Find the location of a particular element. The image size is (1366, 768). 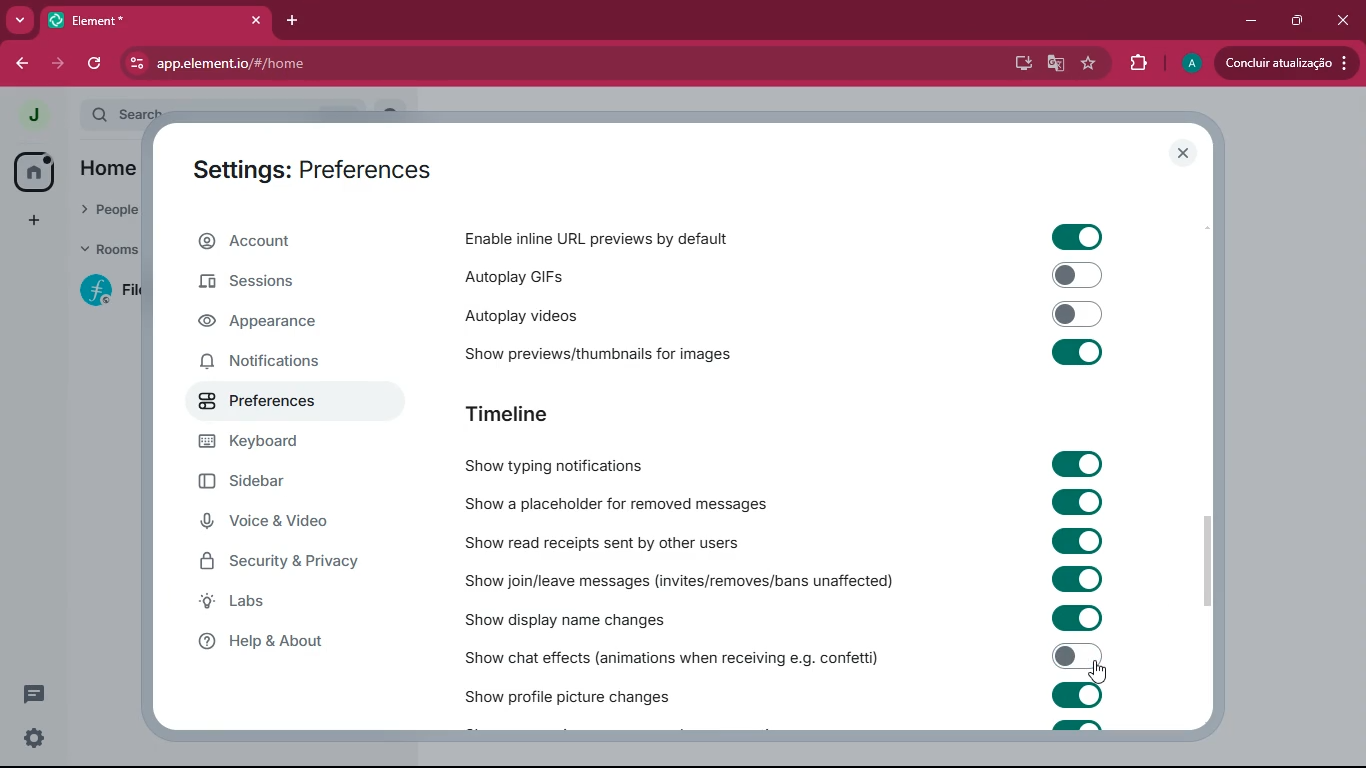

refresh is located at coordinates (99, 64).